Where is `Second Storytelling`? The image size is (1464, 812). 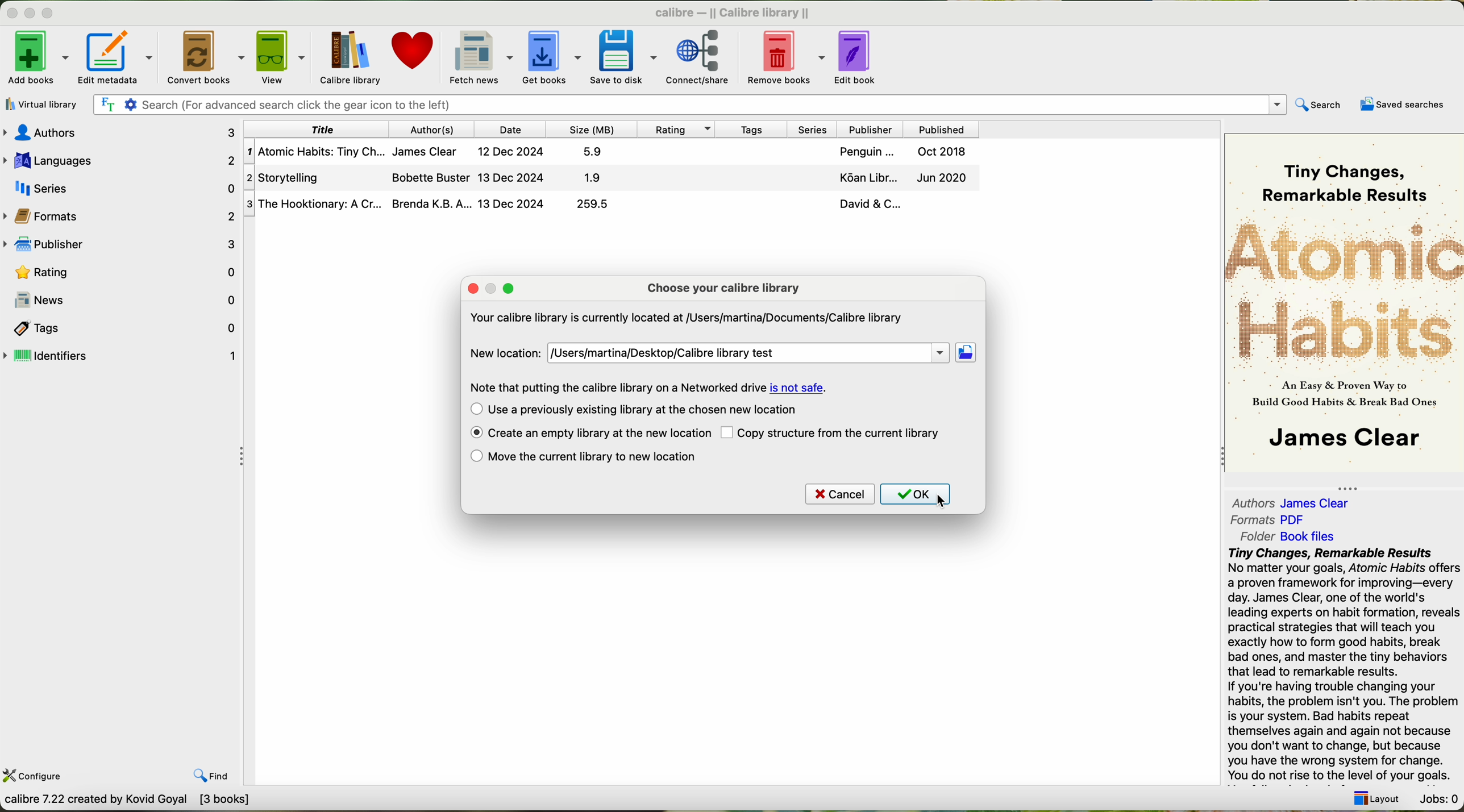
Second Storytelling is located at coordinates (613, 178).